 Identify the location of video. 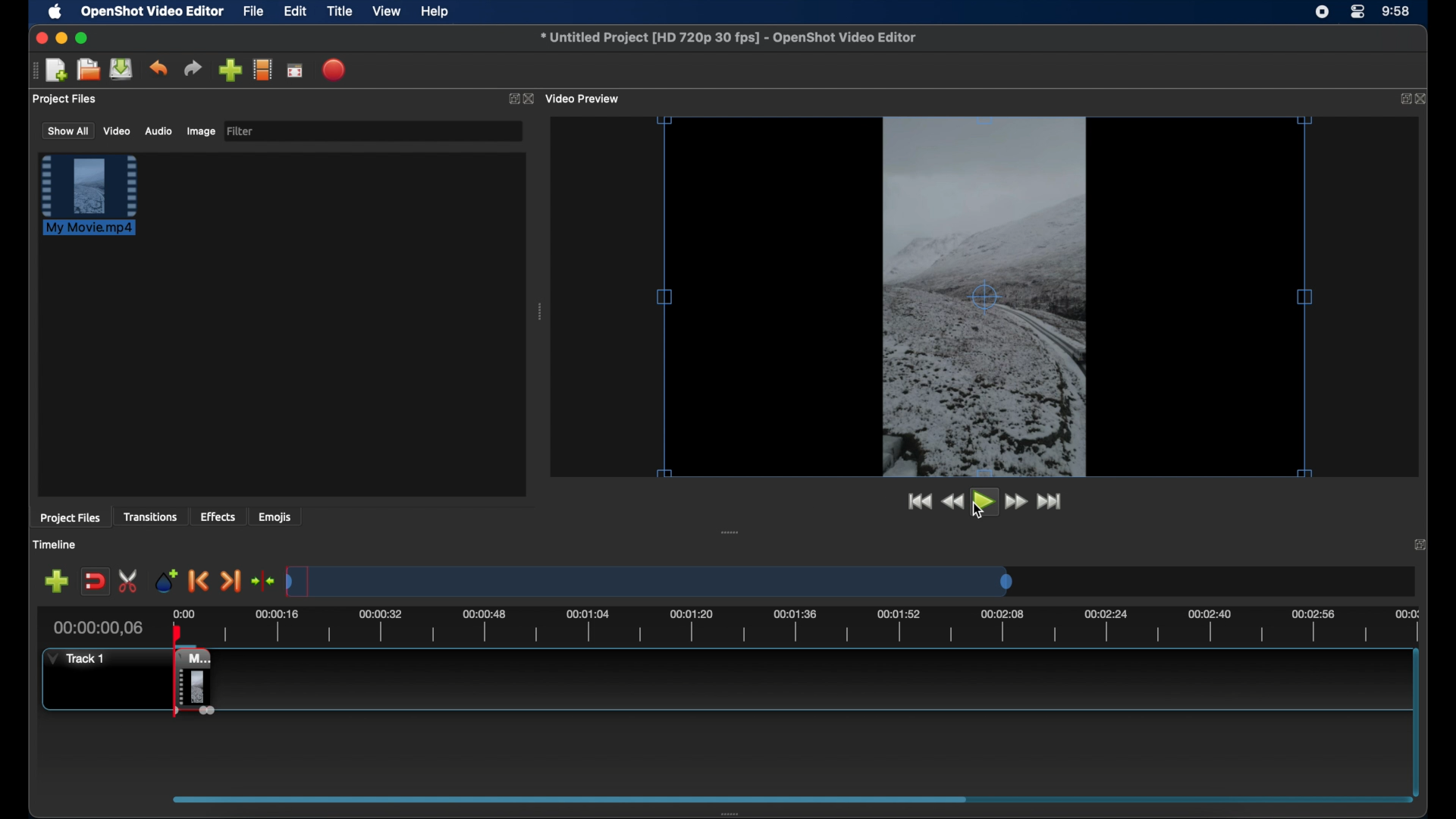
(118, 130).